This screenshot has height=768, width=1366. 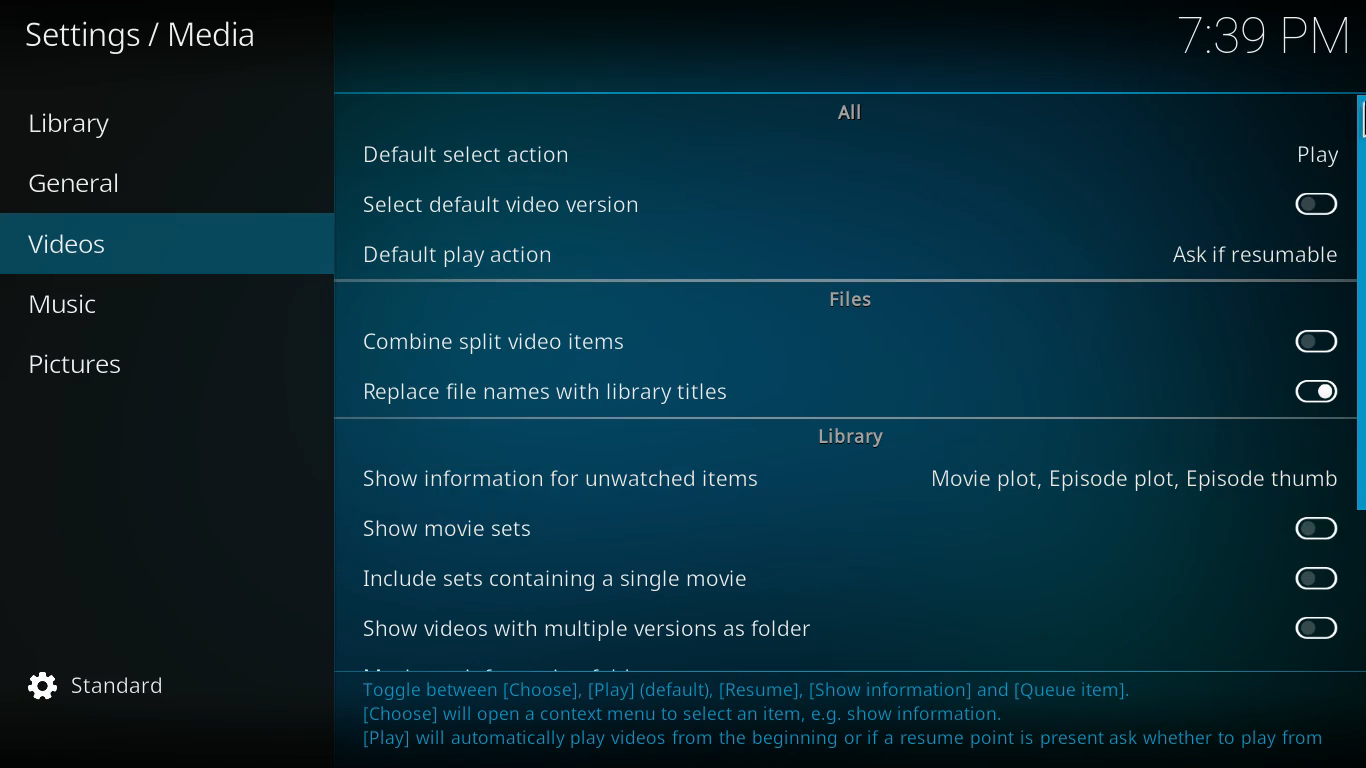 What do you see at coordinates (563, 575) in the screenshot?
I see `include sets` at bounding box center [563, 575].